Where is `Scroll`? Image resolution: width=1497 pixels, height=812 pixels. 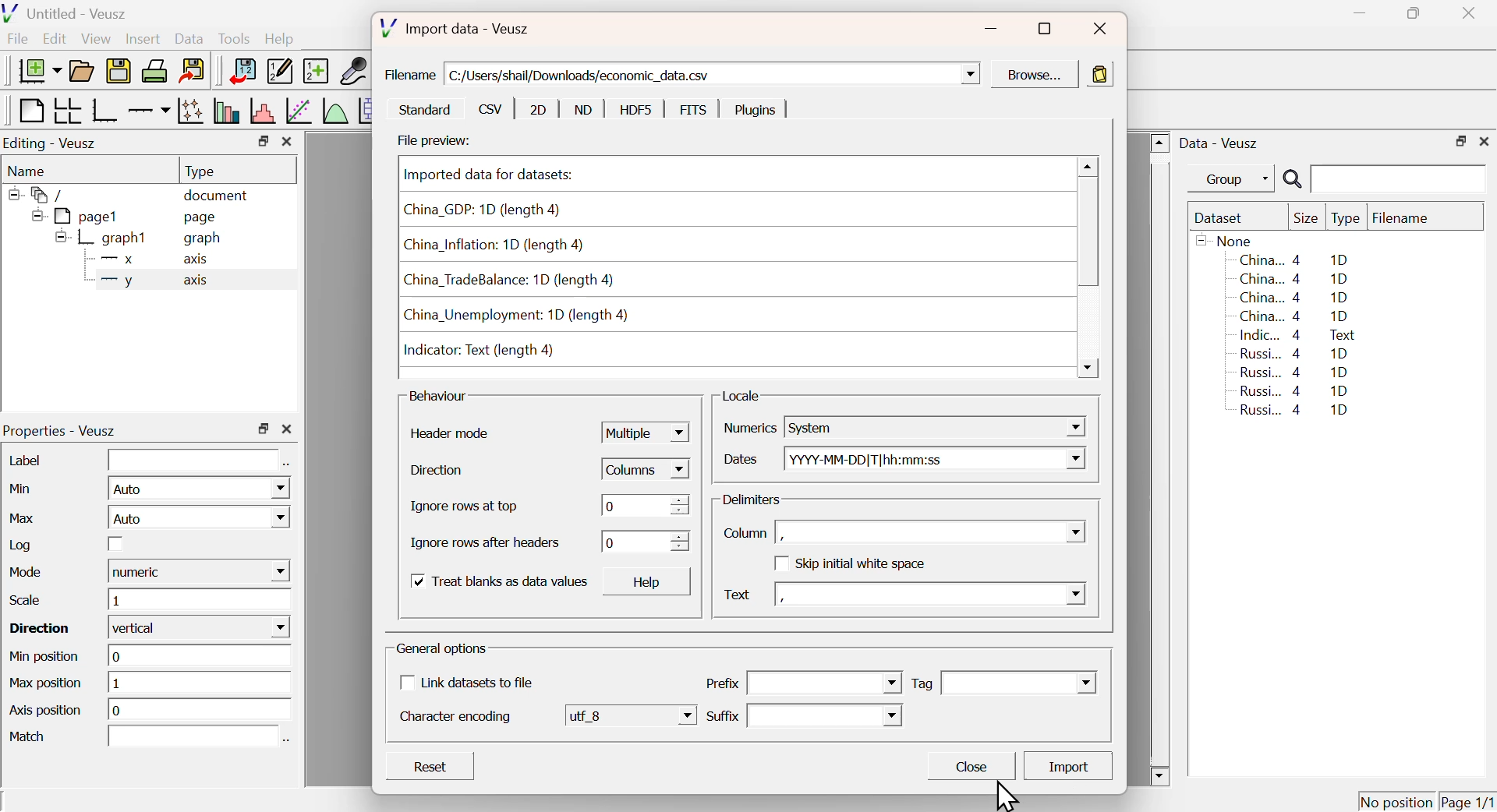
Scroll is located at coordinates (1087, 267).